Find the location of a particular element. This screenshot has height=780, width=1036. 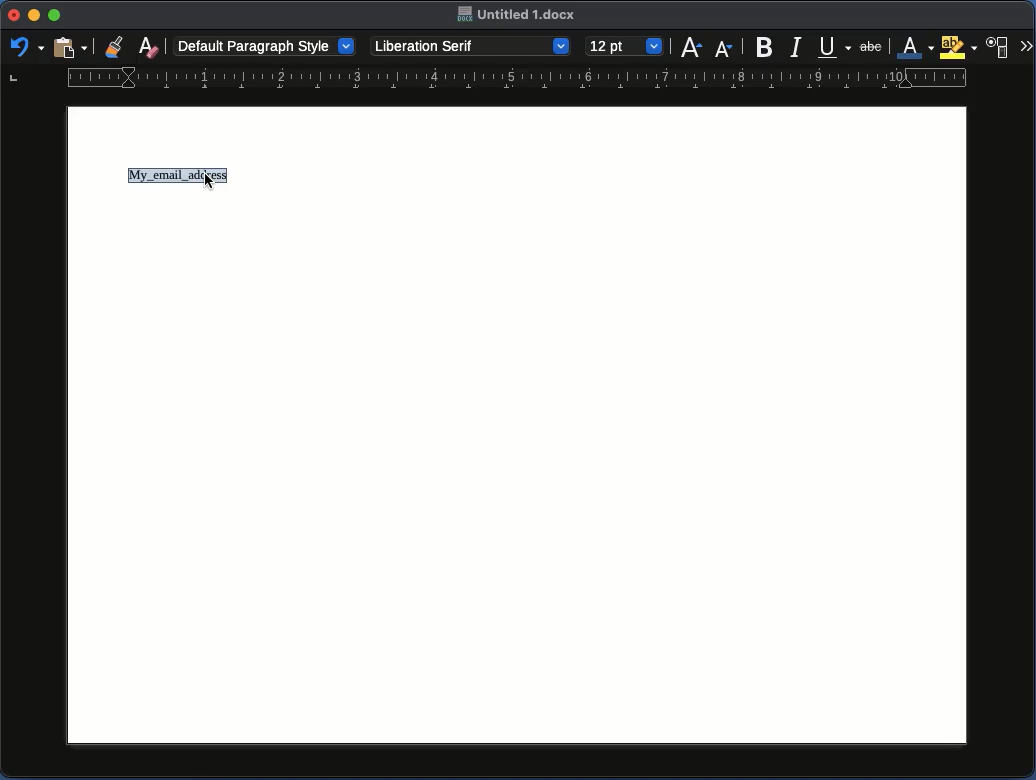

Font color is located at coordinates (912, 47).